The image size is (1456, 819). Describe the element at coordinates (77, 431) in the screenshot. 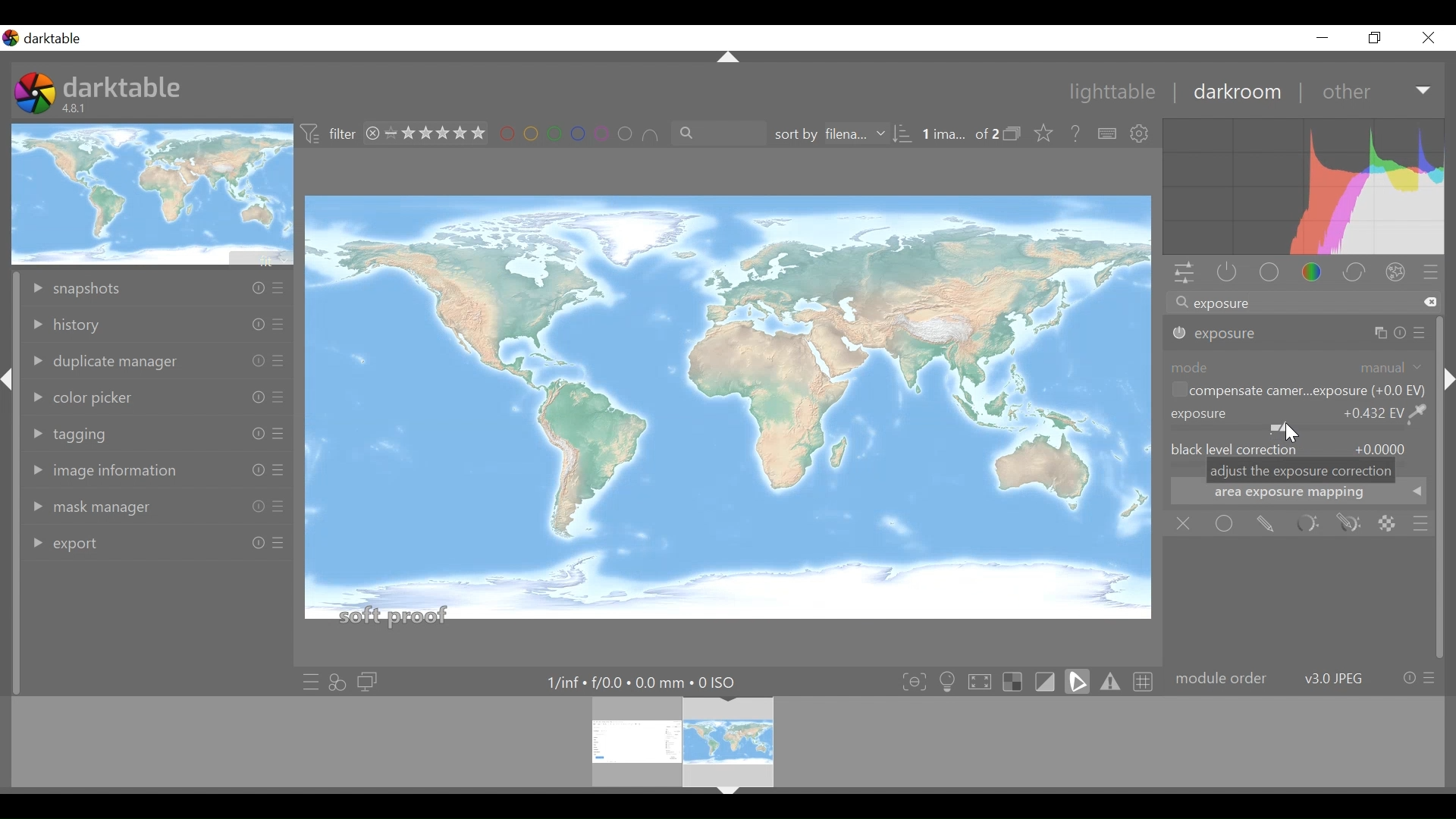

I see `tagging` at that location.